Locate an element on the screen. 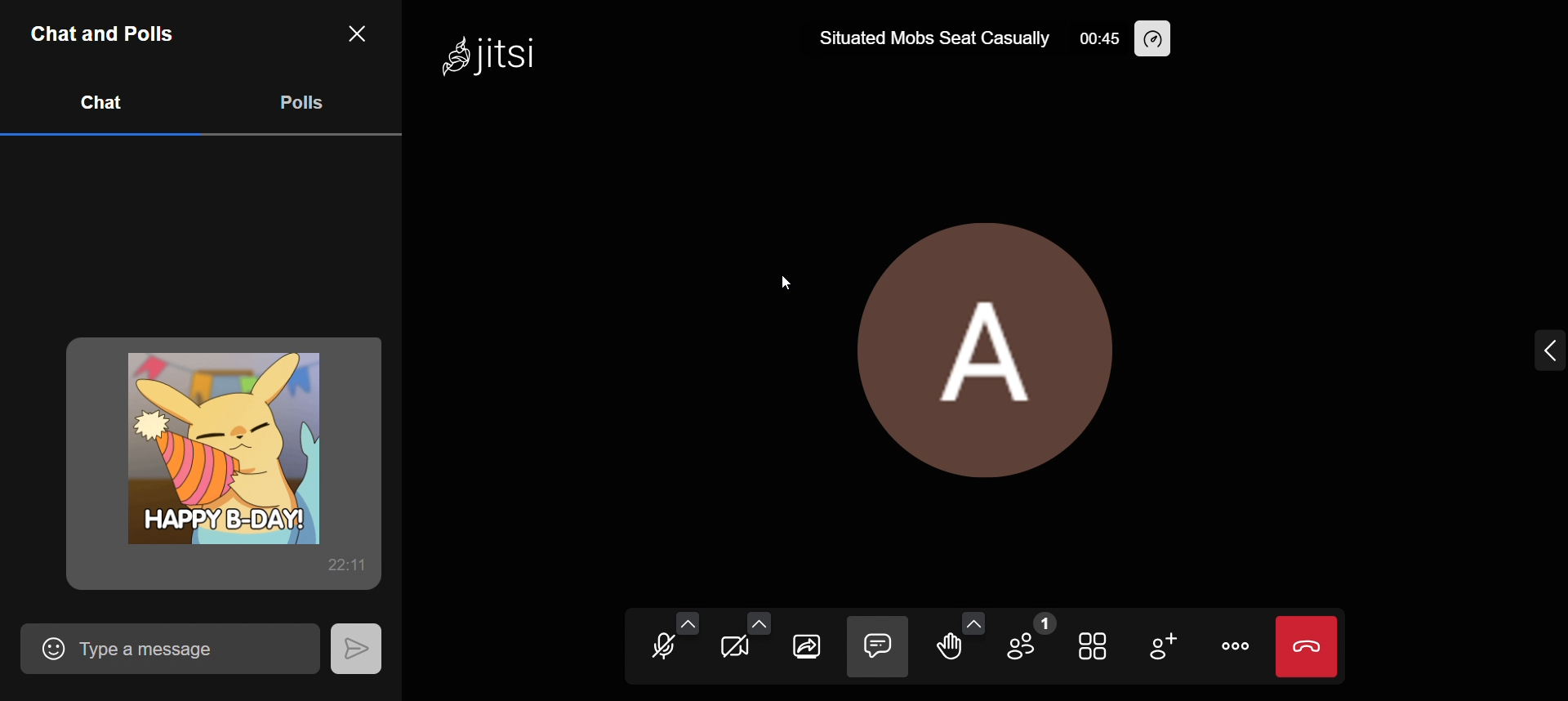 This screenshot has width=1568, height=701. Type a message is located at coordinates (197, 649).